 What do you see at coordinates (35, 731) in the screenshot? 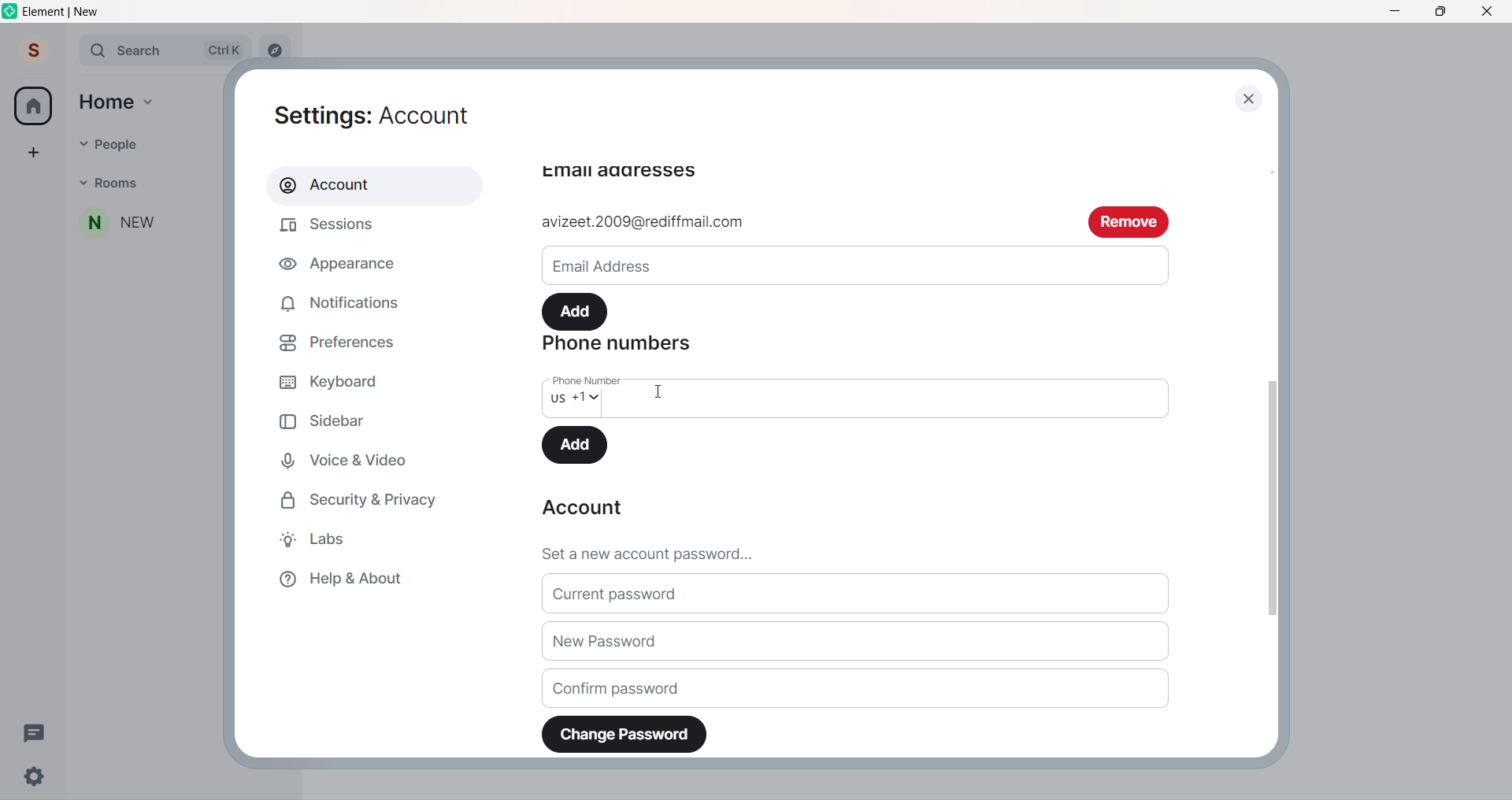
I see `Threads` at bounding box center [35, 731].